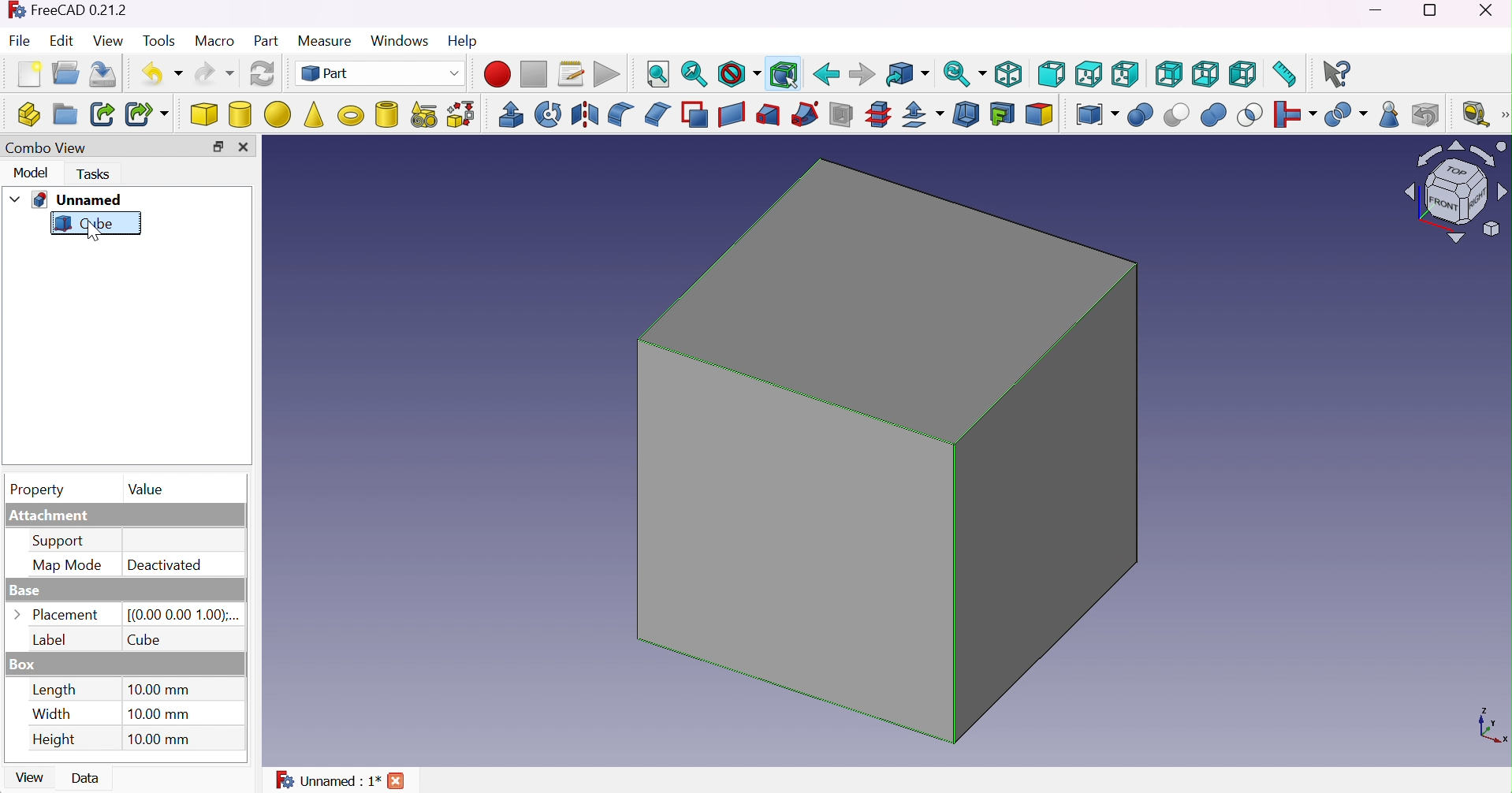 This screenshot has height=793, width=1512. I want to click on Color per face, so click(1039, 115).